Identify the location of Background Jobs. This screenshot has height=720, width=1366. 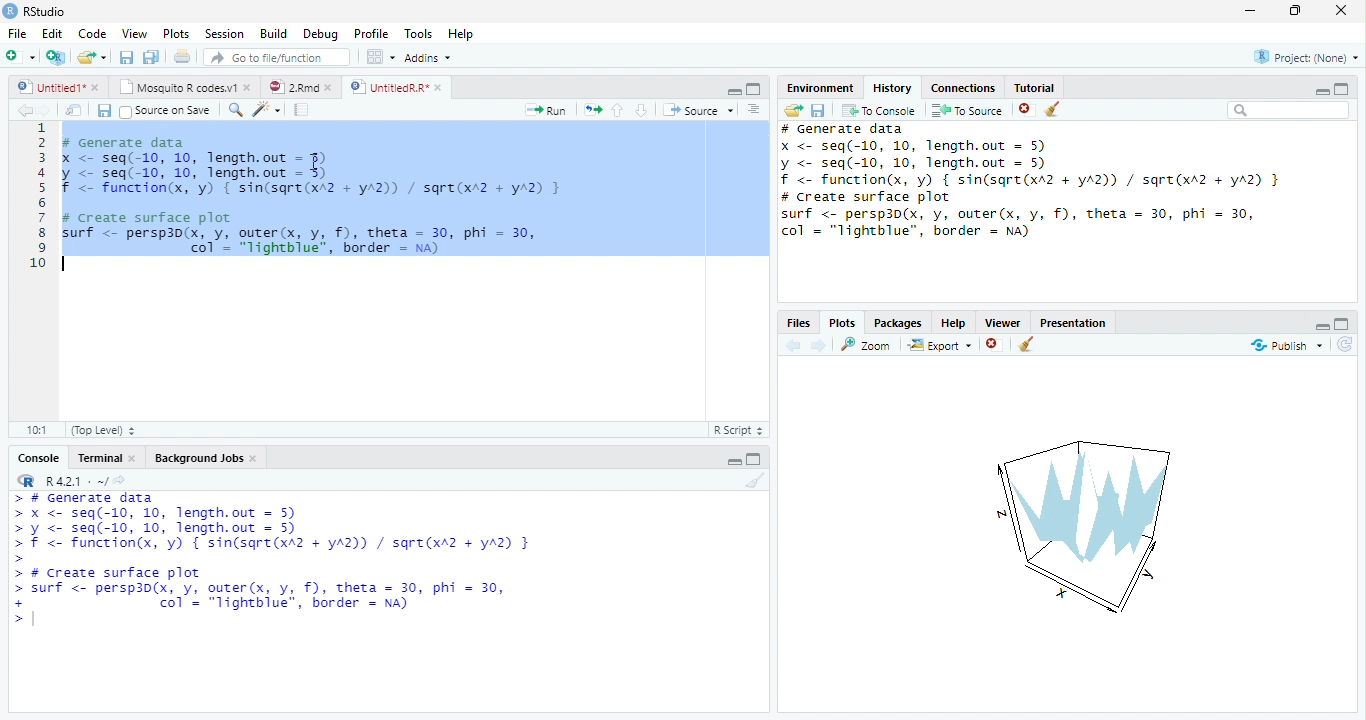
(199, 458).